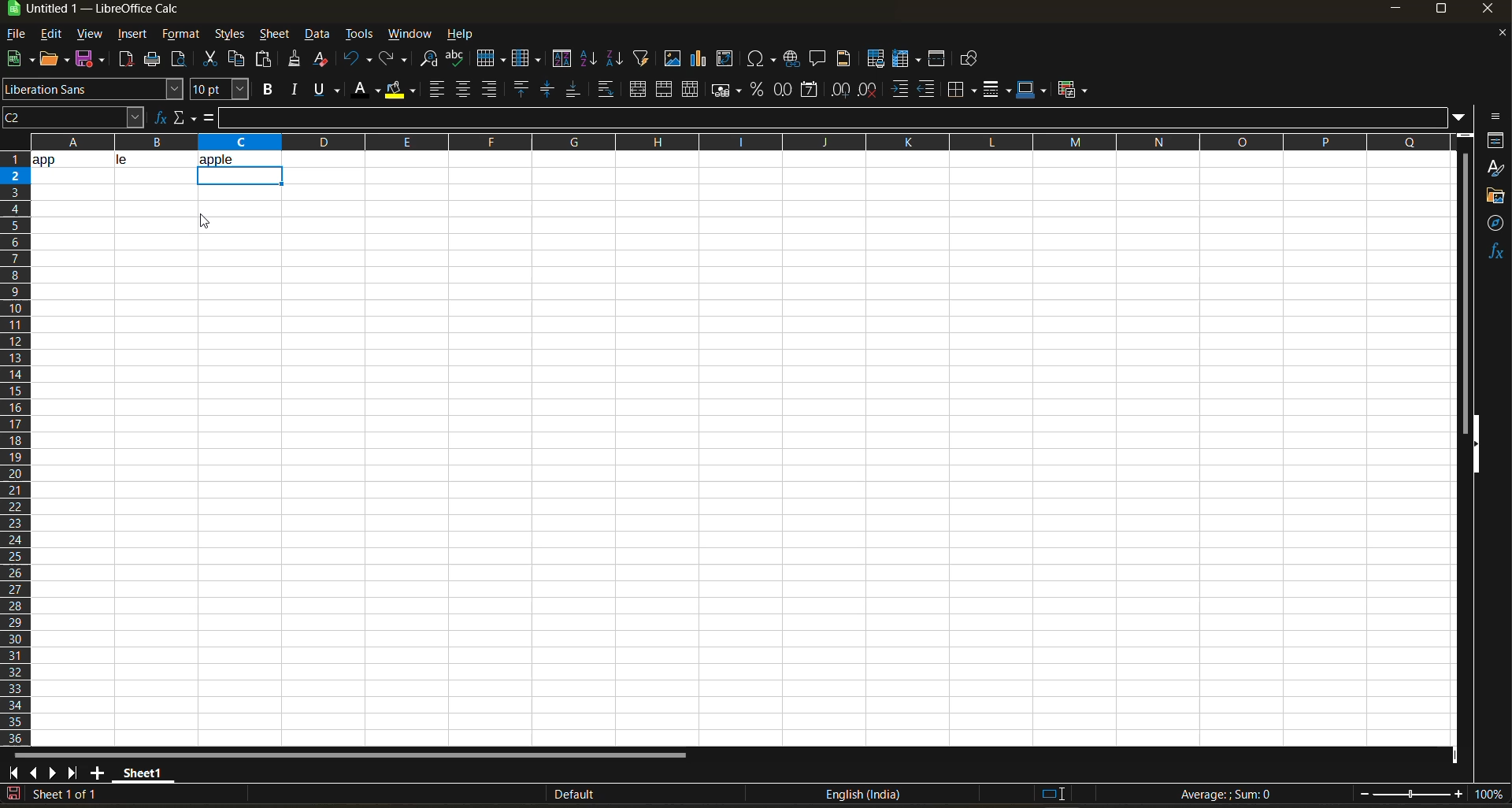 Image resolution: width=1512 pixels, height=808 pixels. What do you see at coordinates (574, 89) in the screenshot?
I see `align bottom` at bounding box center [574, 89].